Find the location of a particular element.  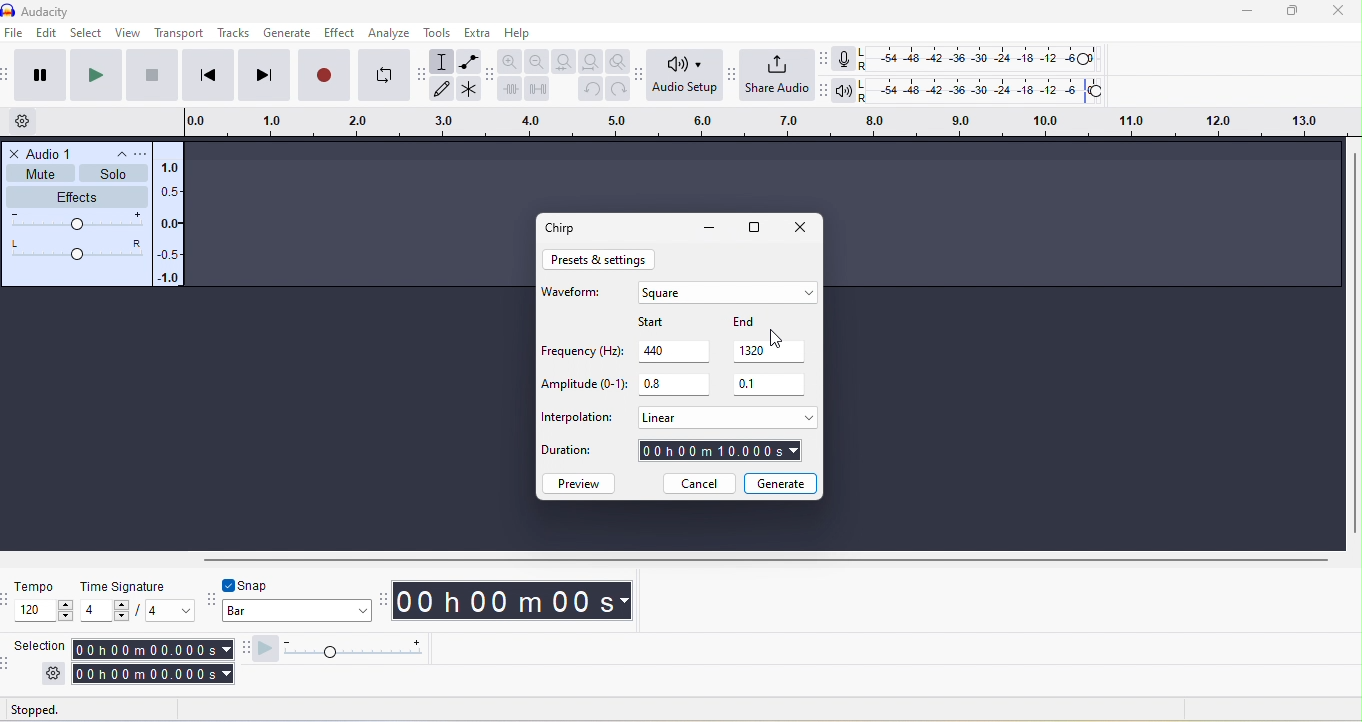

audio setup is located at coordinates (687, 76).